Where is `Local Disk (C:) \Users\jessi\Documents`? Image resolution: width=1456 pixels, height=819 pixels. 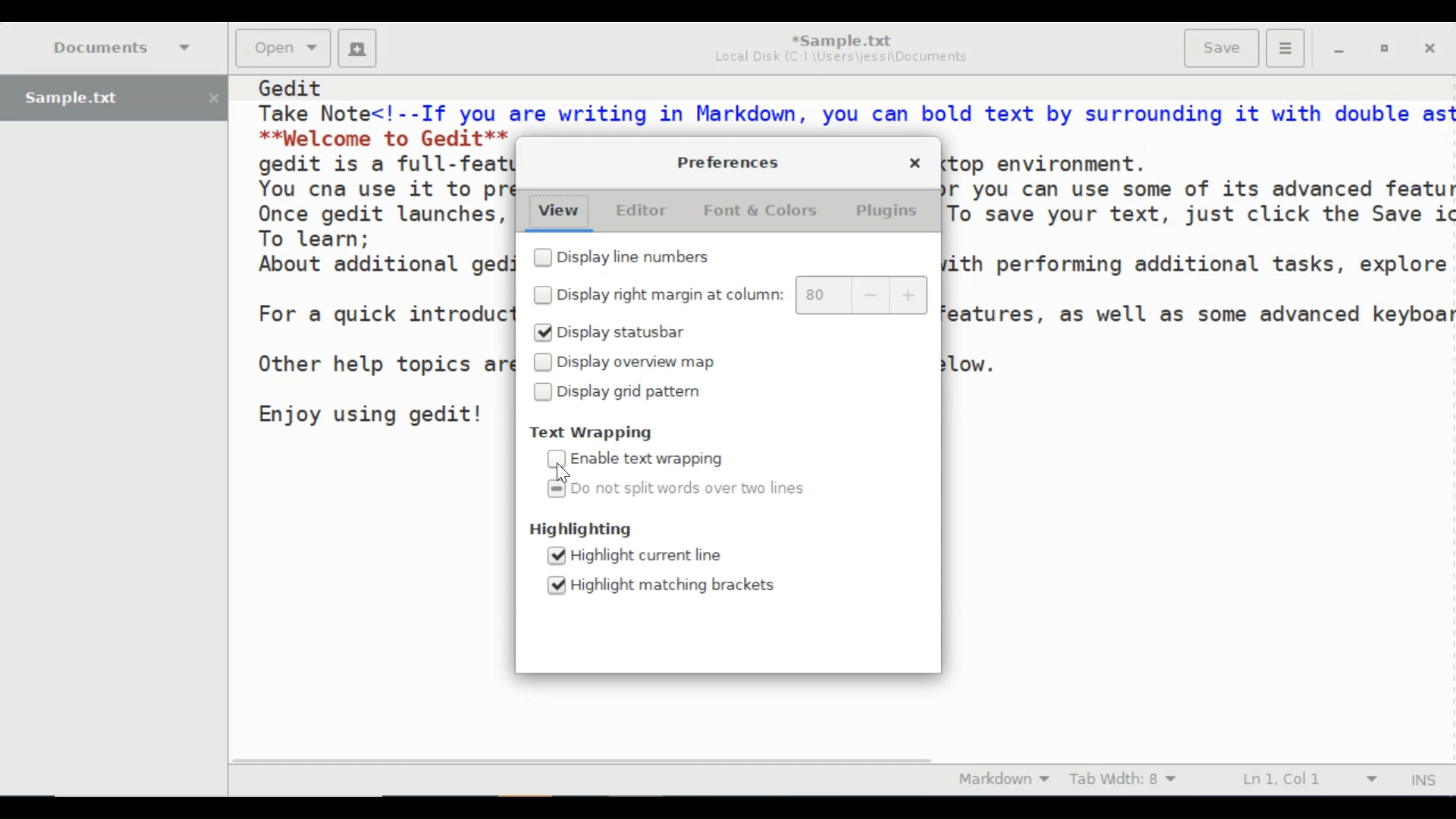 Local Disk (C:) \Users\jessi\Documents is located at coordinates (840, 58).